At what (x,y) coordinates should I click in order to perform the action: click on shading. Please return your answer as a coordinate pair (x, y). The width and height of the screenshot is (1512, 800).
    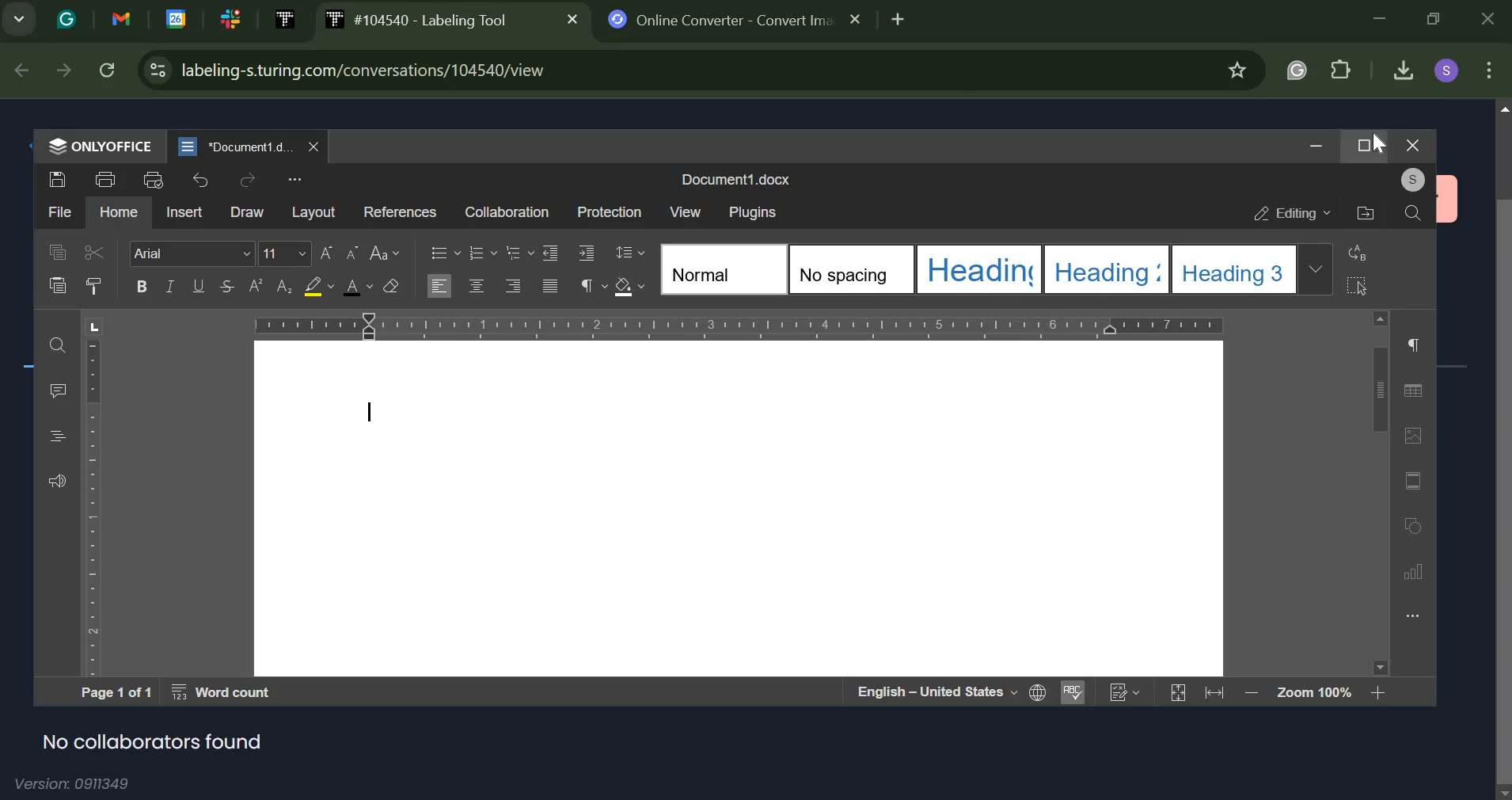
    Looking at the image, I should click on (629, 287).